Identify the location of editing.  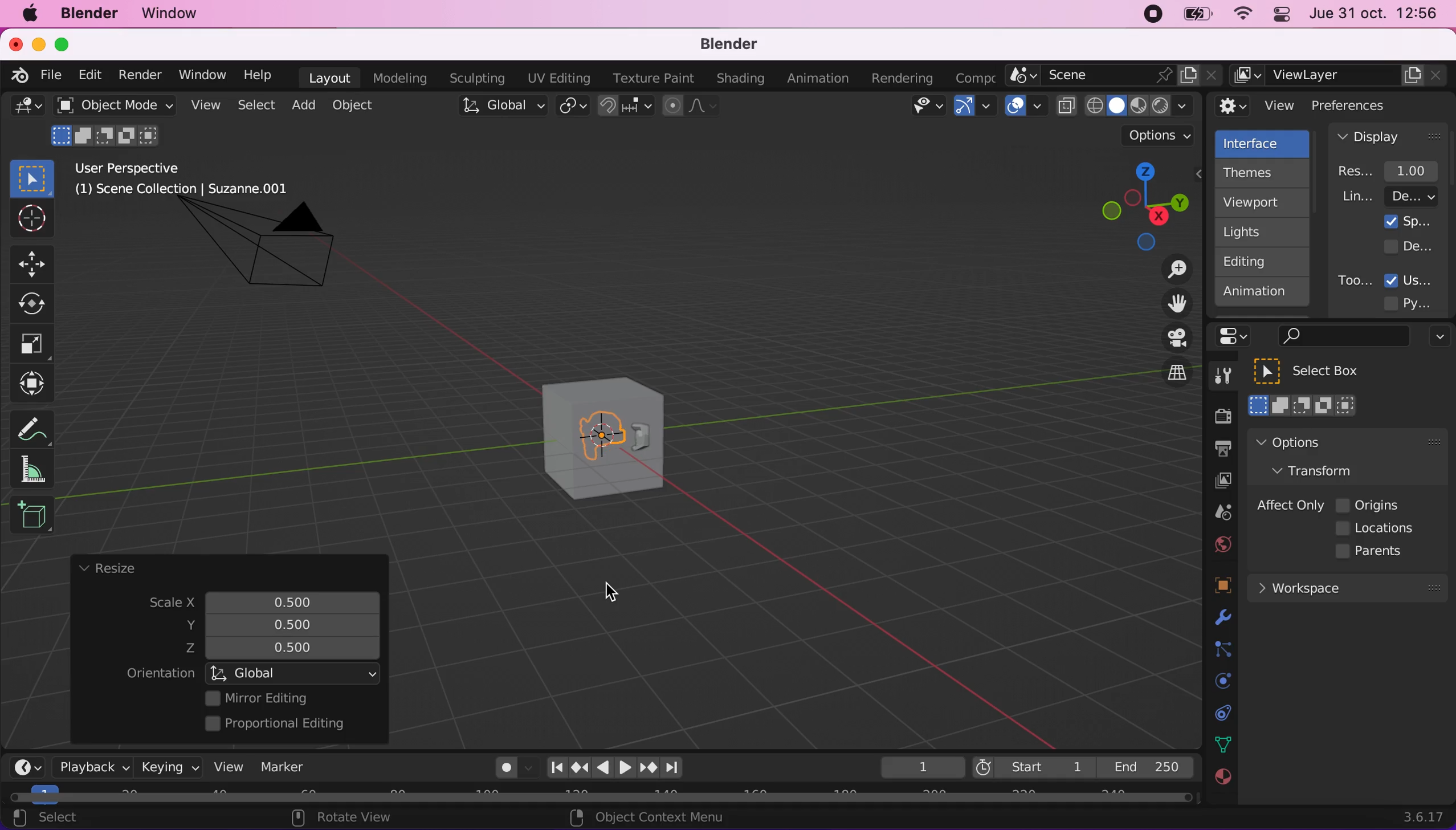
(1257, 261).